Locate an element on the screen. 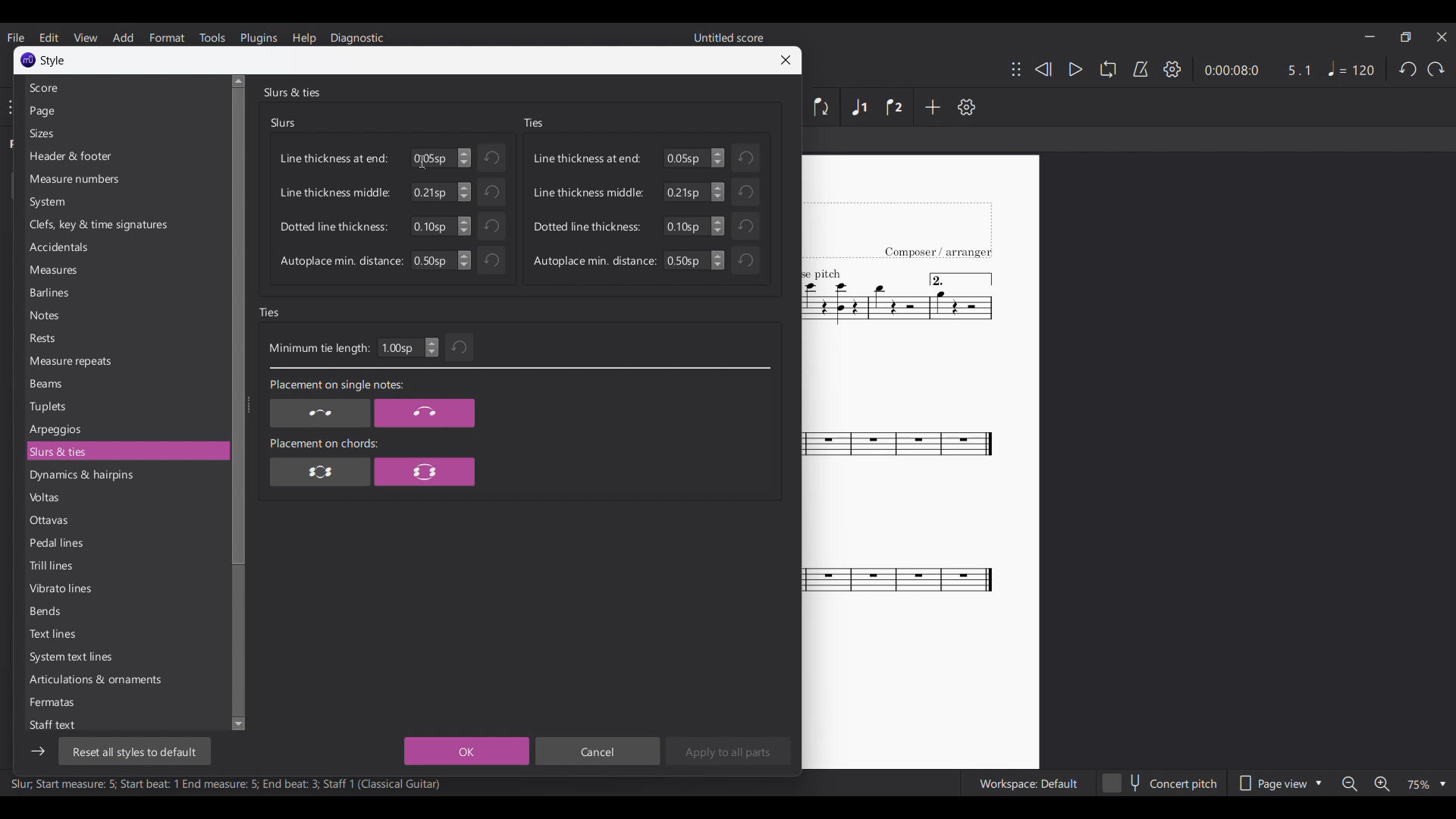  Staff text is located at coordinates (124, 724).